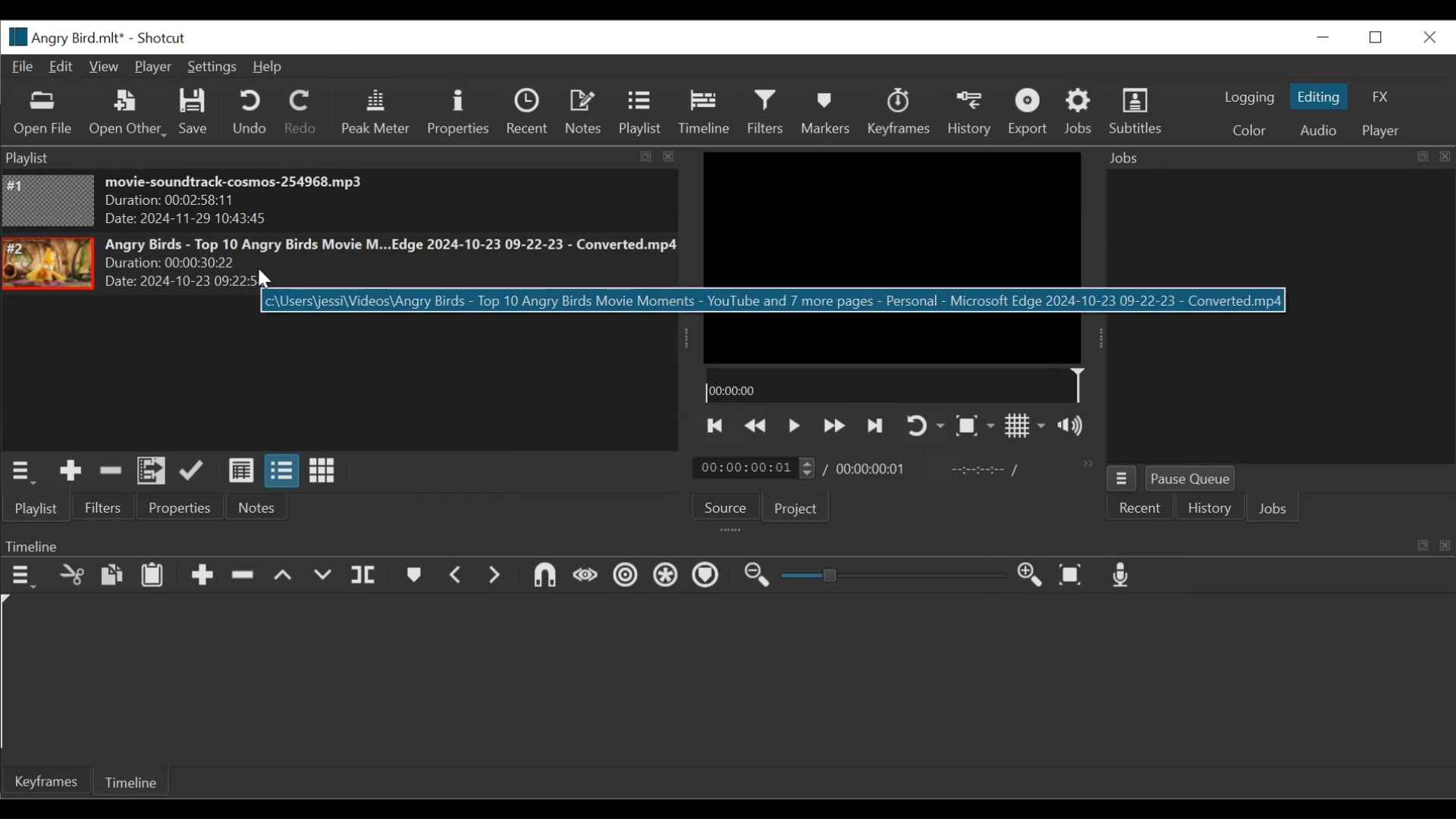  What do you see at coordinates (981, 469) in the screenshot?
I see `In point` at bounding box center [981, 469].